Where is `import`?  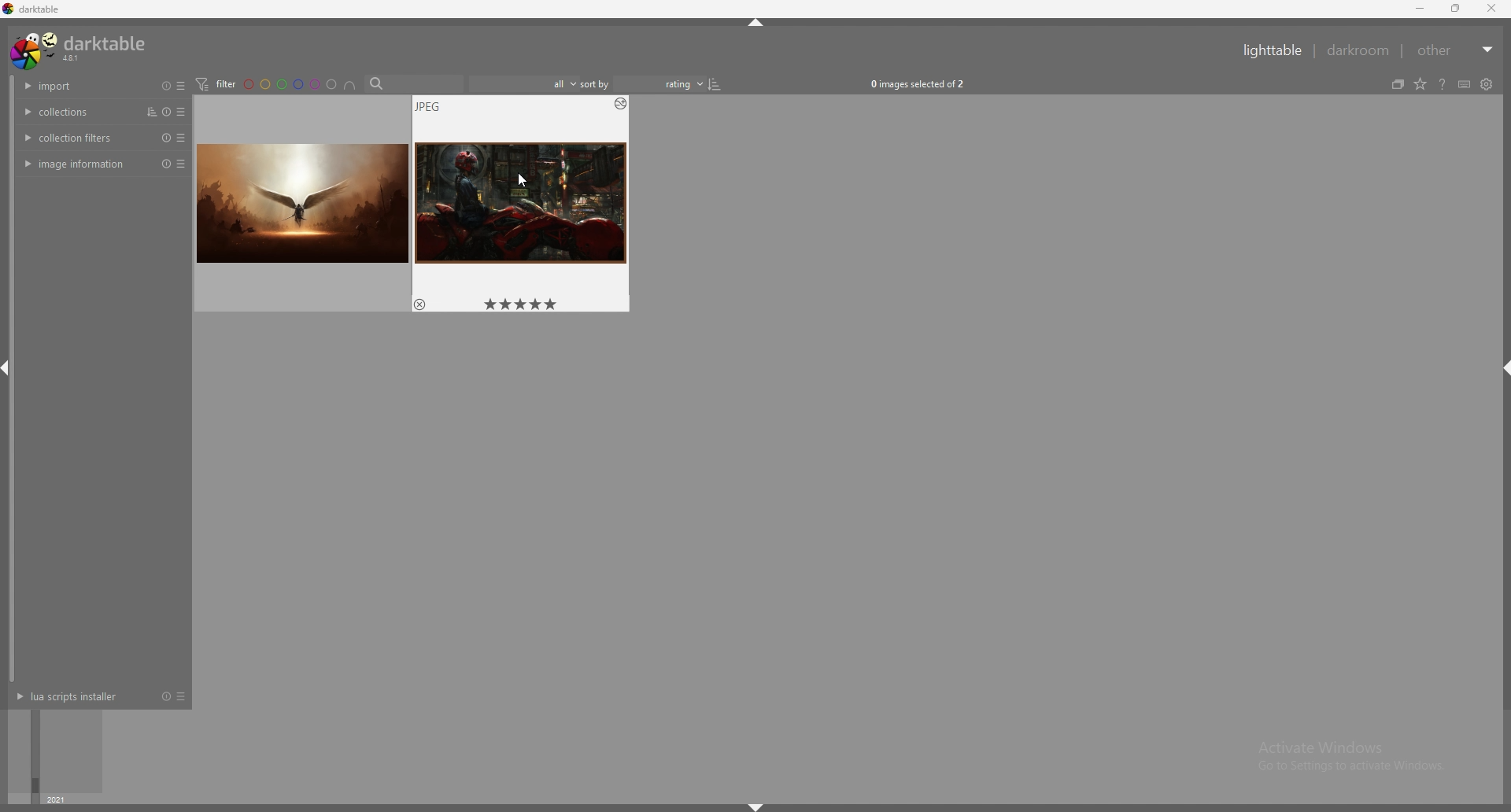 import is located at coordinates (80, 86).